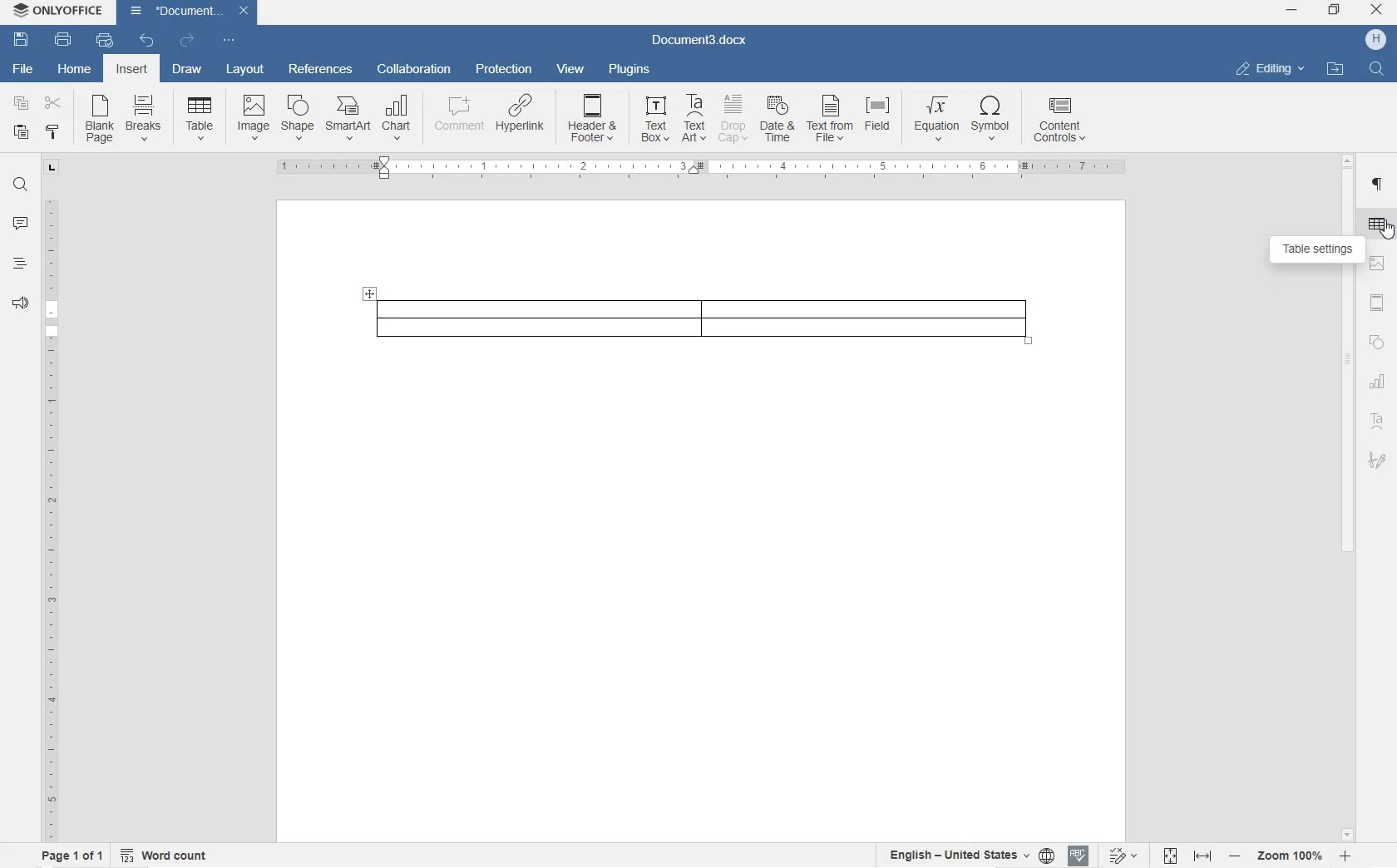 This screenshot has width=1397, height=868. What do you see at coordinates (831, 121) in the screenshot?
I see `Text from file` at bounding box center [831, 121].